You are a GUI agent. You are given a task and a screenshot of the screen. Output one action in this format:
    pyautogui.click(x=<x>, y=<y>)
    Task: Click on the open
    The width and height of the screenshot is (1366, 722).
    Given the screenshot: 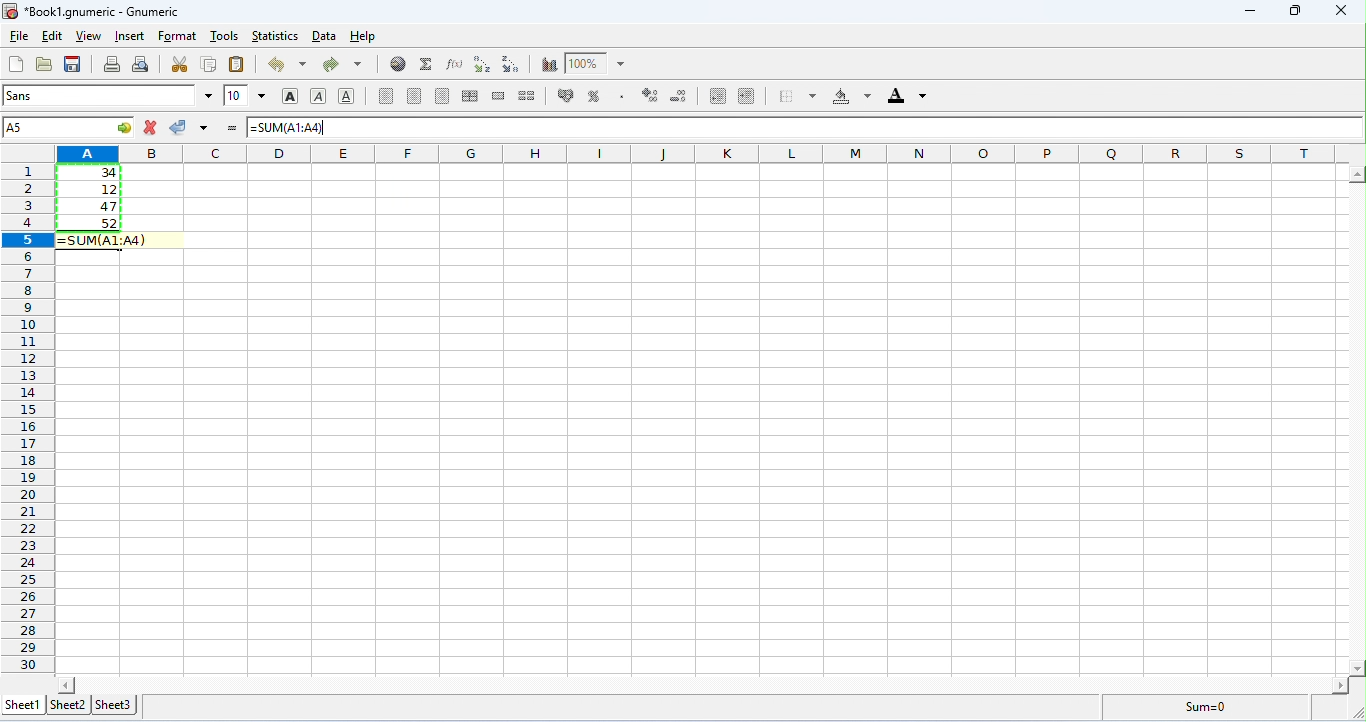 What is the action you would take?
    pyautogui.click(x=44, y=64)
    